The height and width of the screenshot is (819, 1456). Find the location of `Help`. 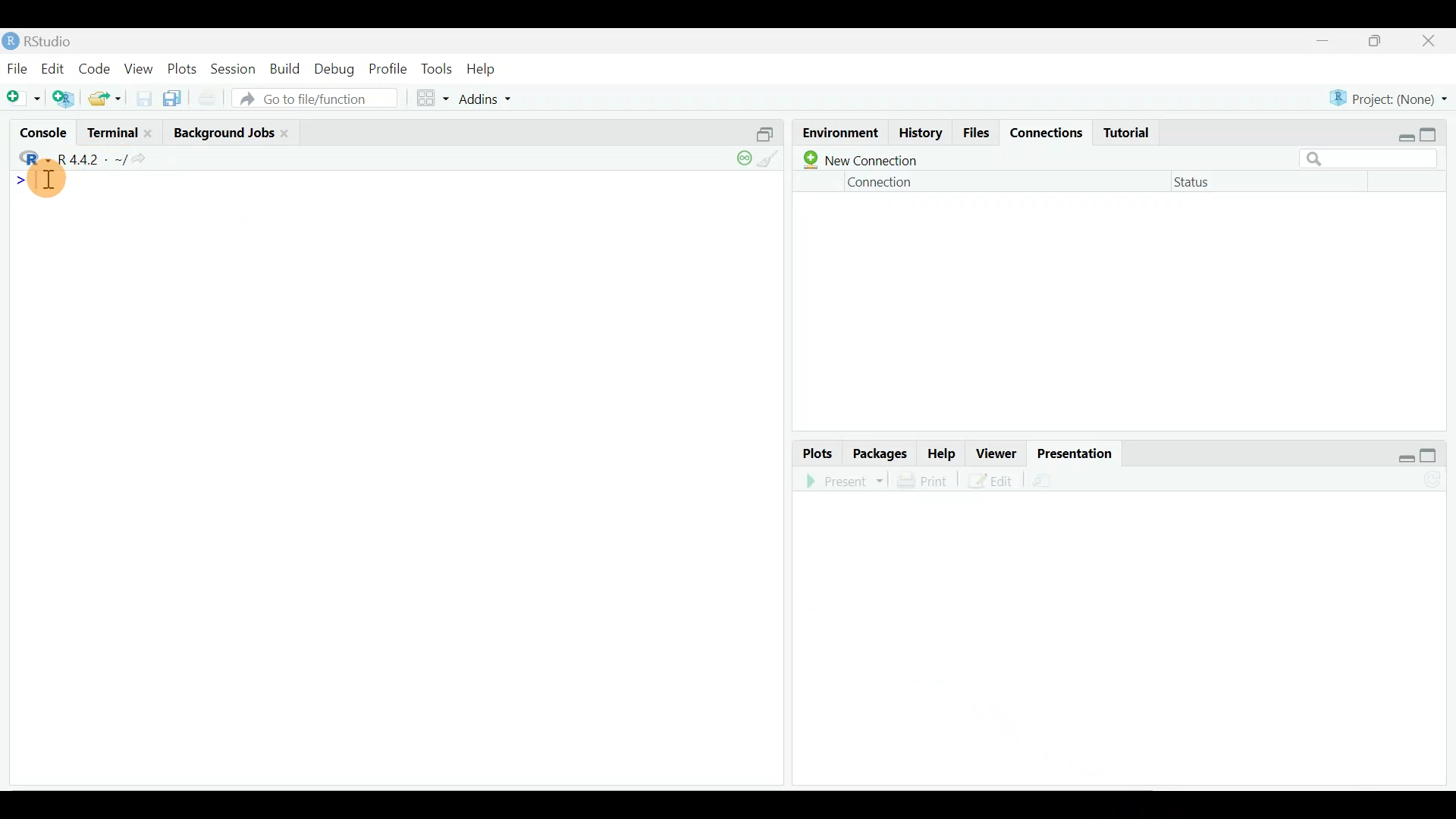

Help is located at coordinates (943, 452).